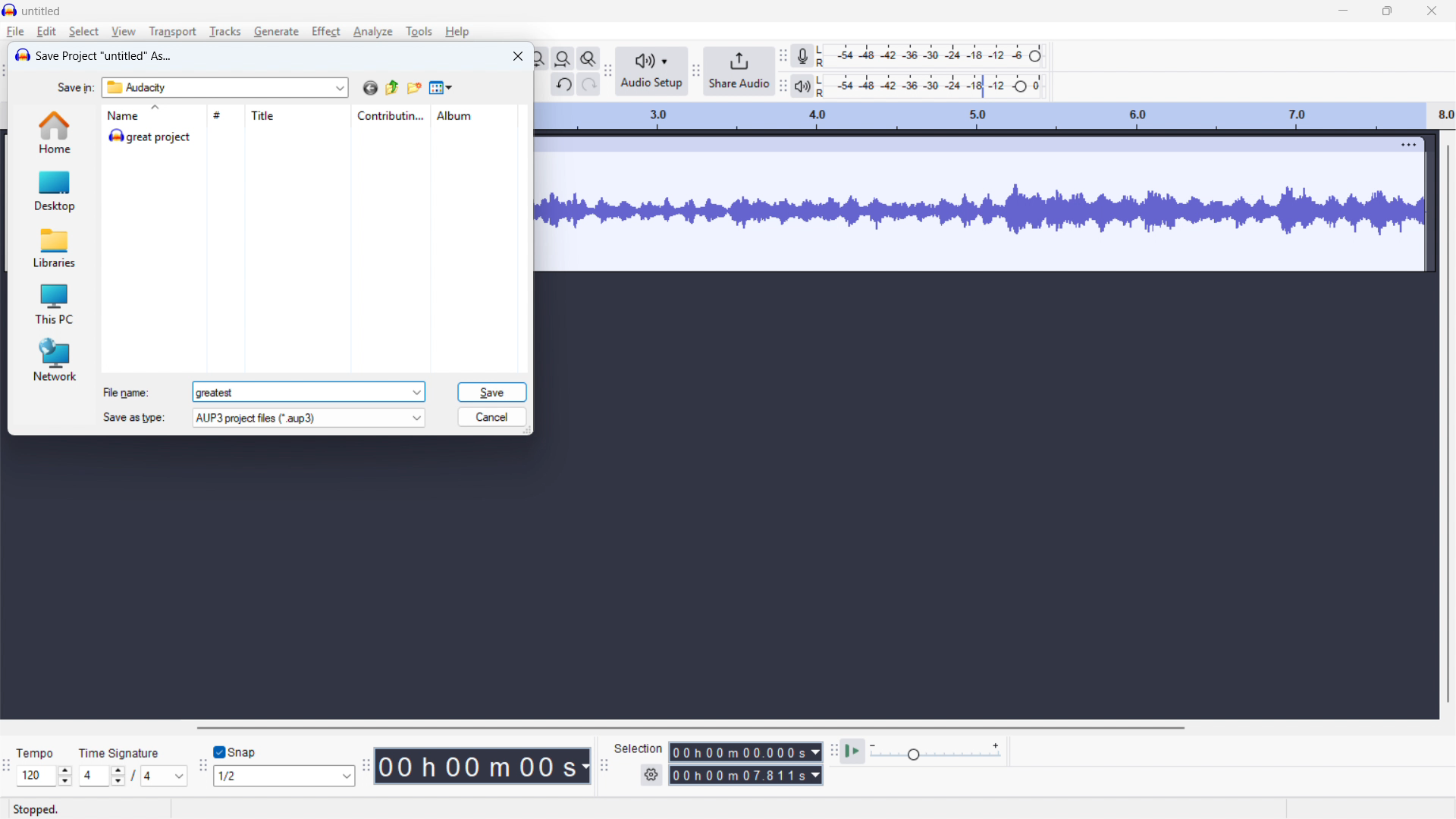  I want to click on selection settings, so click(651, 777).